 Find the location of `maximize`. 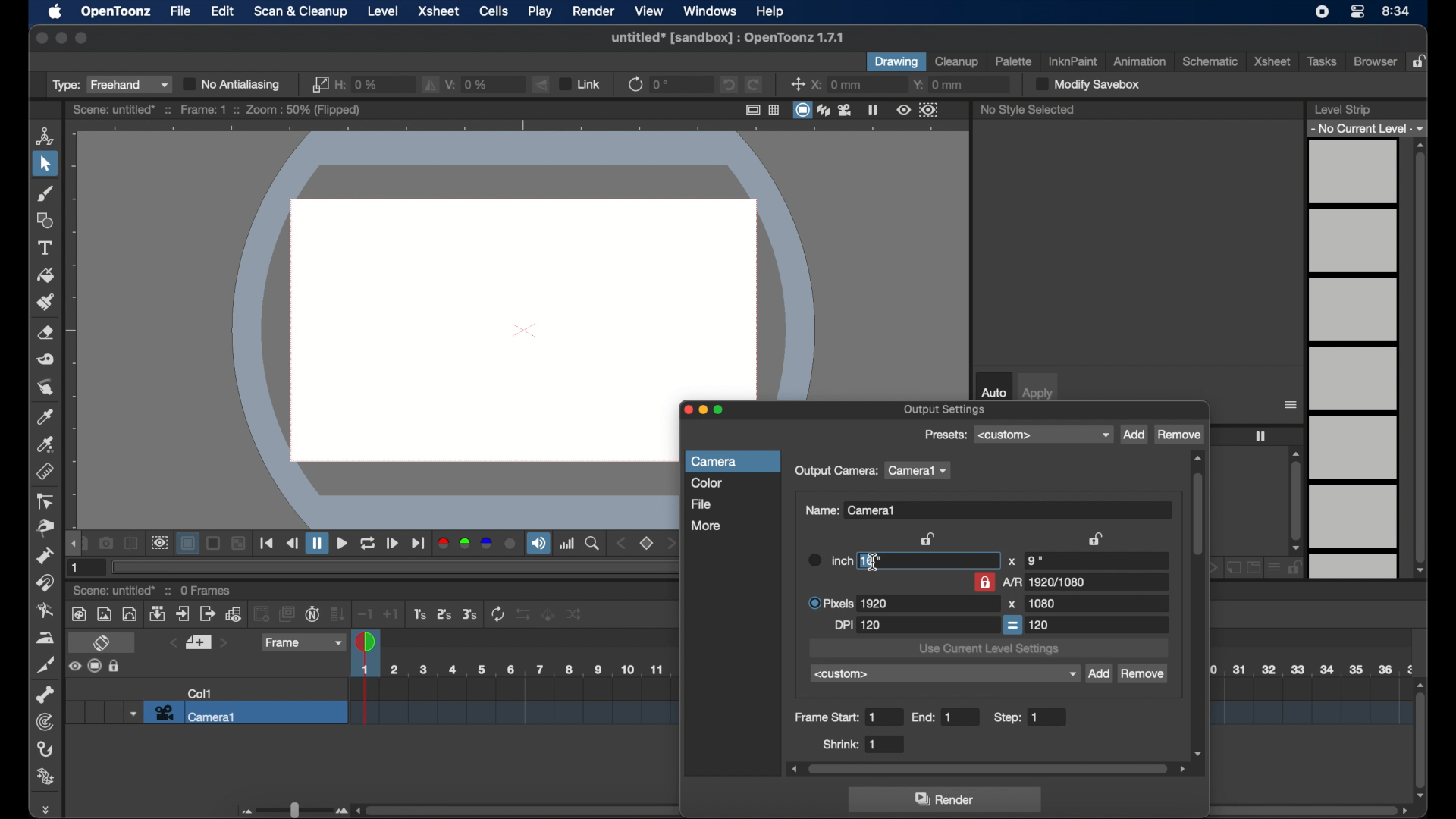

maximize is located at coordinates (722, 411).